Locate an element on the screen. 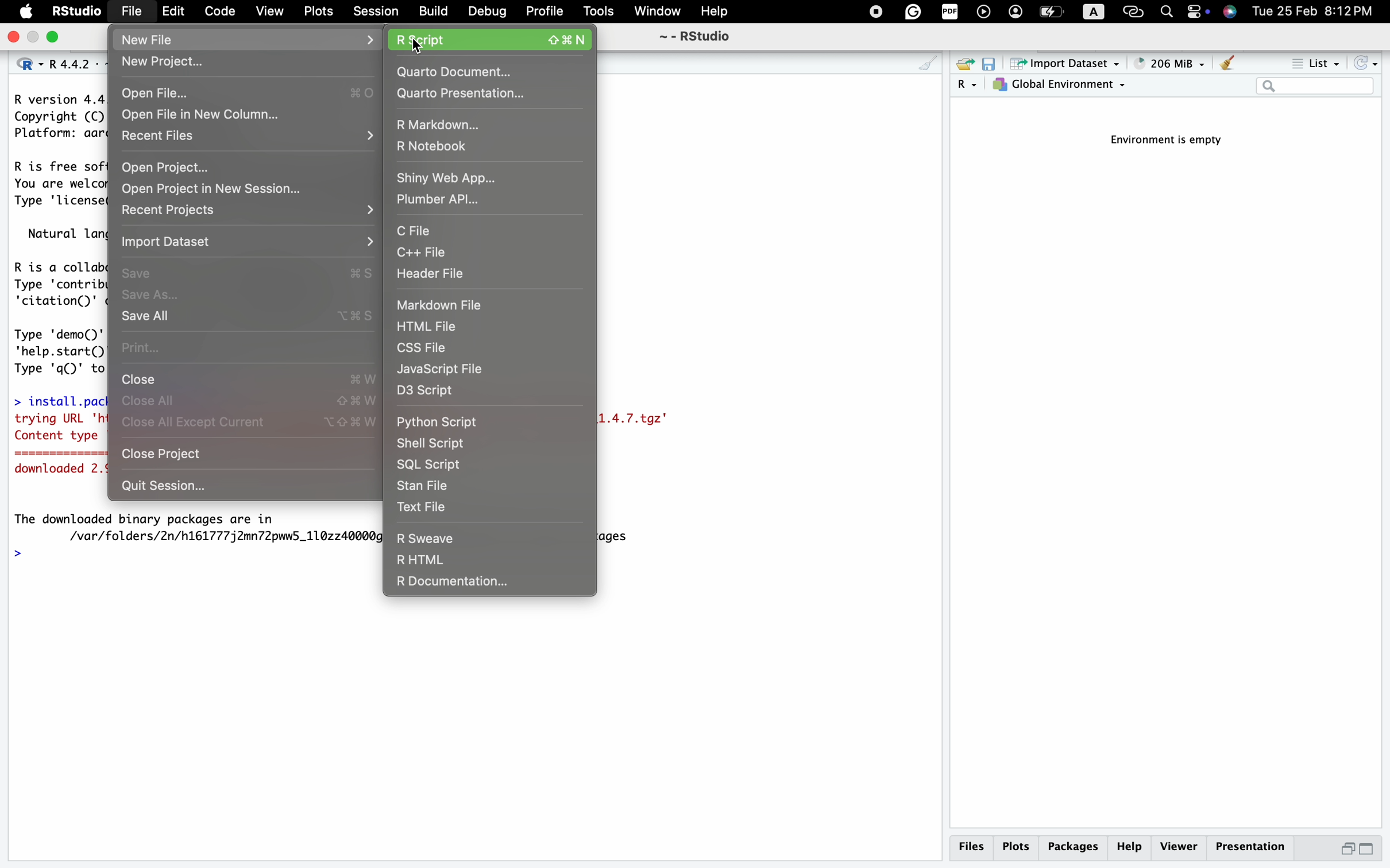  recent projects is located at coordinates (247, 210).